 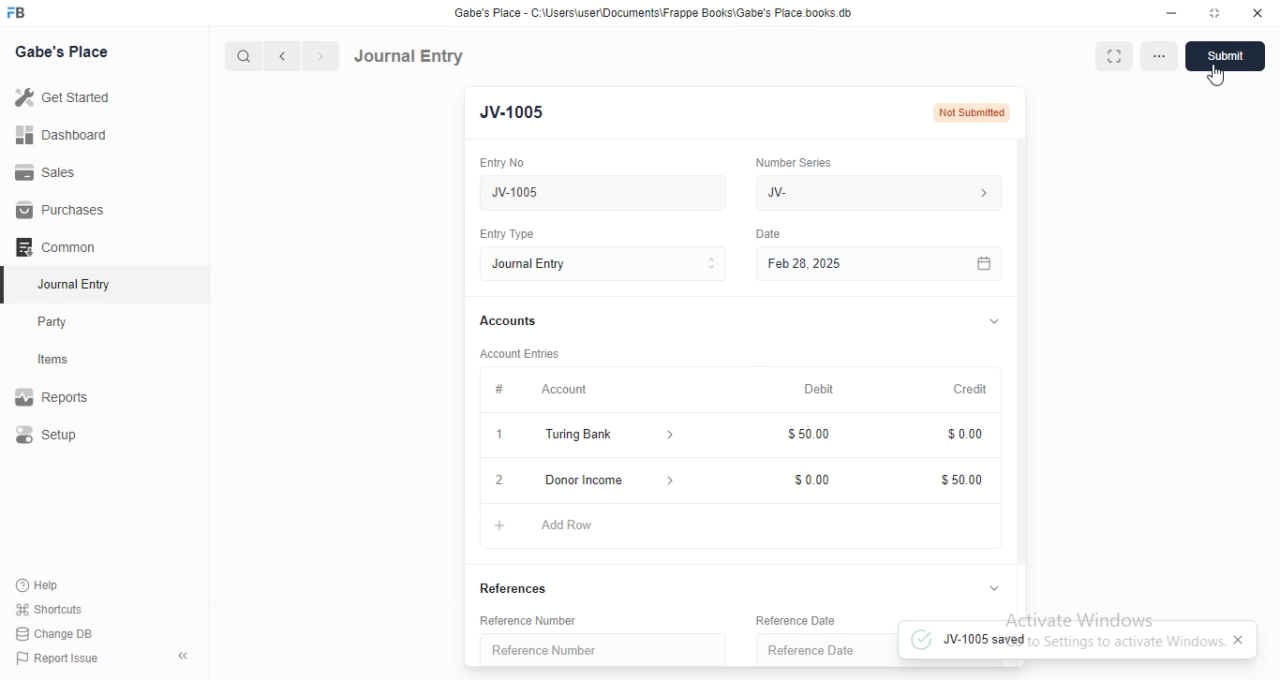 I want to click on ‘Number Series, so click(x=805, y=160).